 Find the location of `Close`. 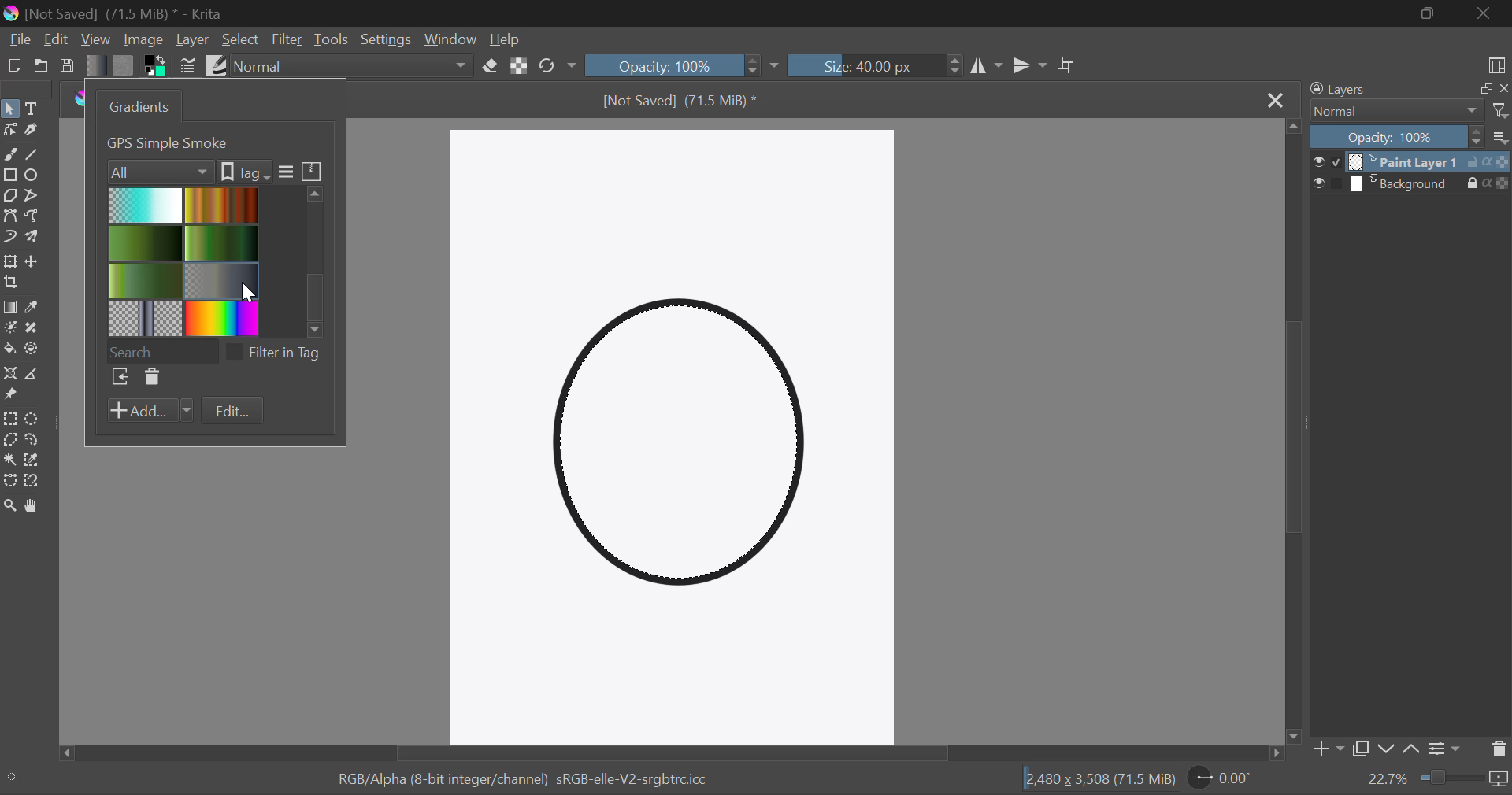

Close is located at coordinates (1488, 14).